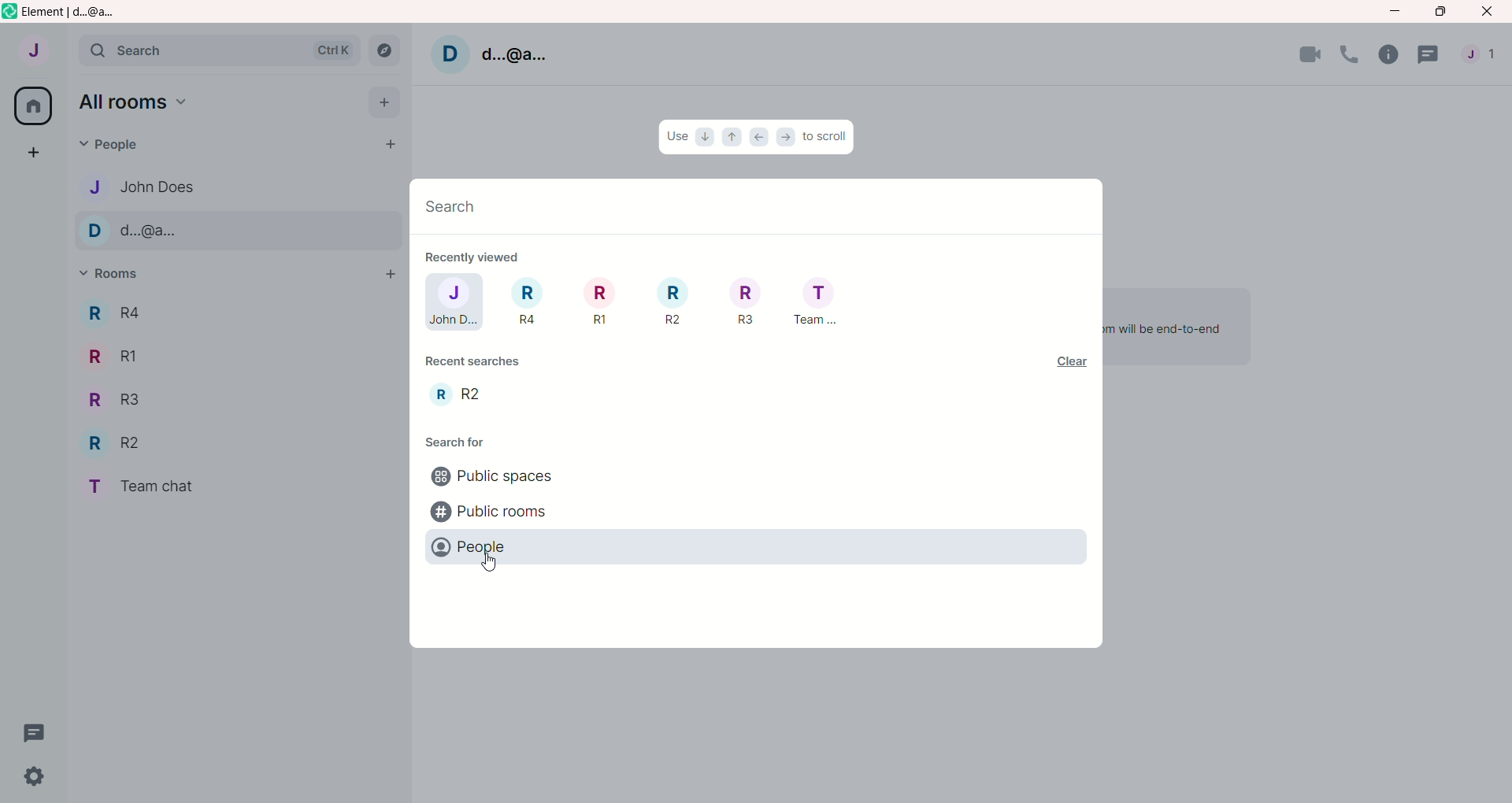  Describe the element at coordinates (1432, 58) in the screenshot. I see `threads` at that location.